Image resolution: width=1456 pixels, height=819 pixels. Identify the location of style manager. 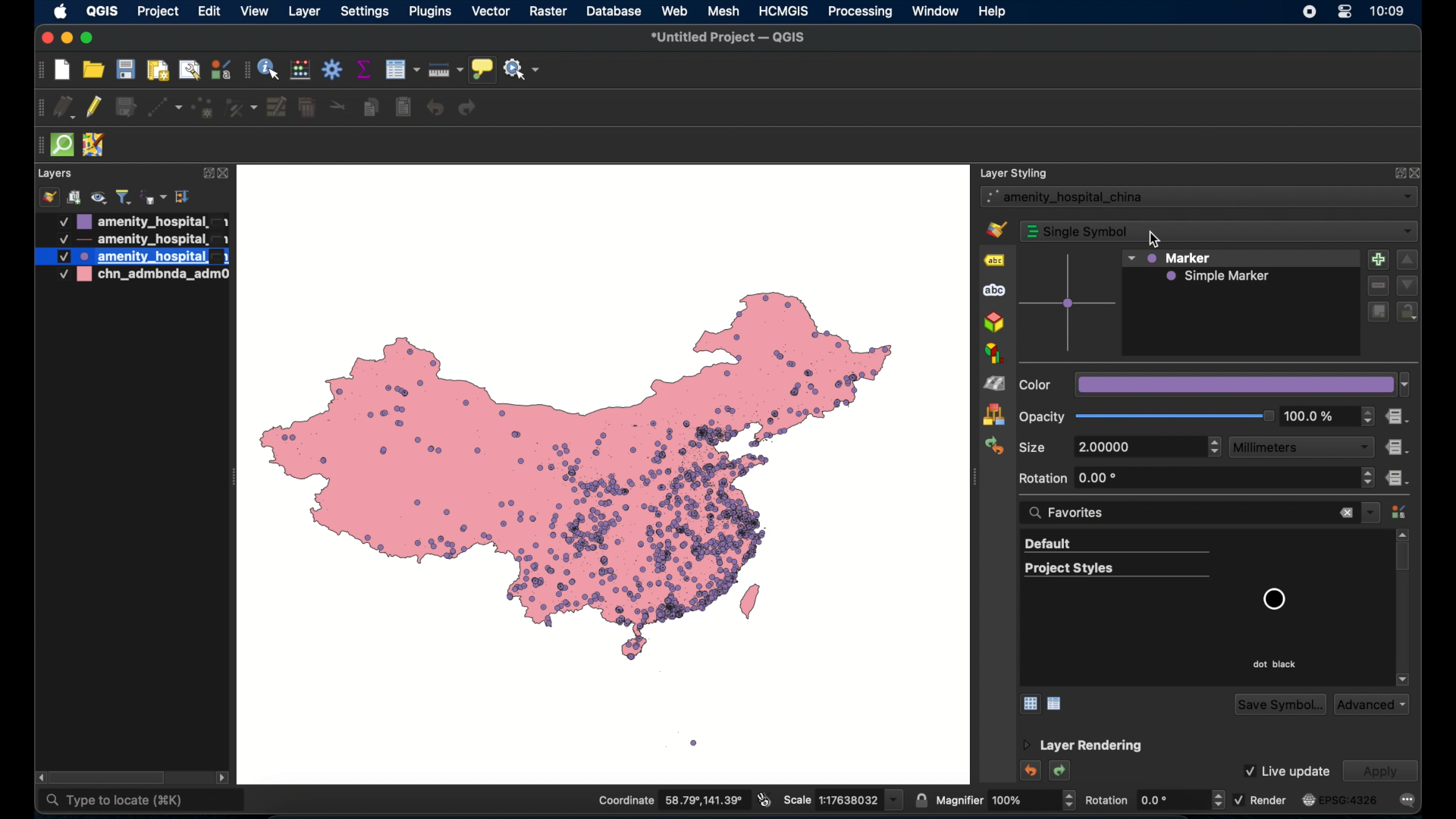
(993, 415).